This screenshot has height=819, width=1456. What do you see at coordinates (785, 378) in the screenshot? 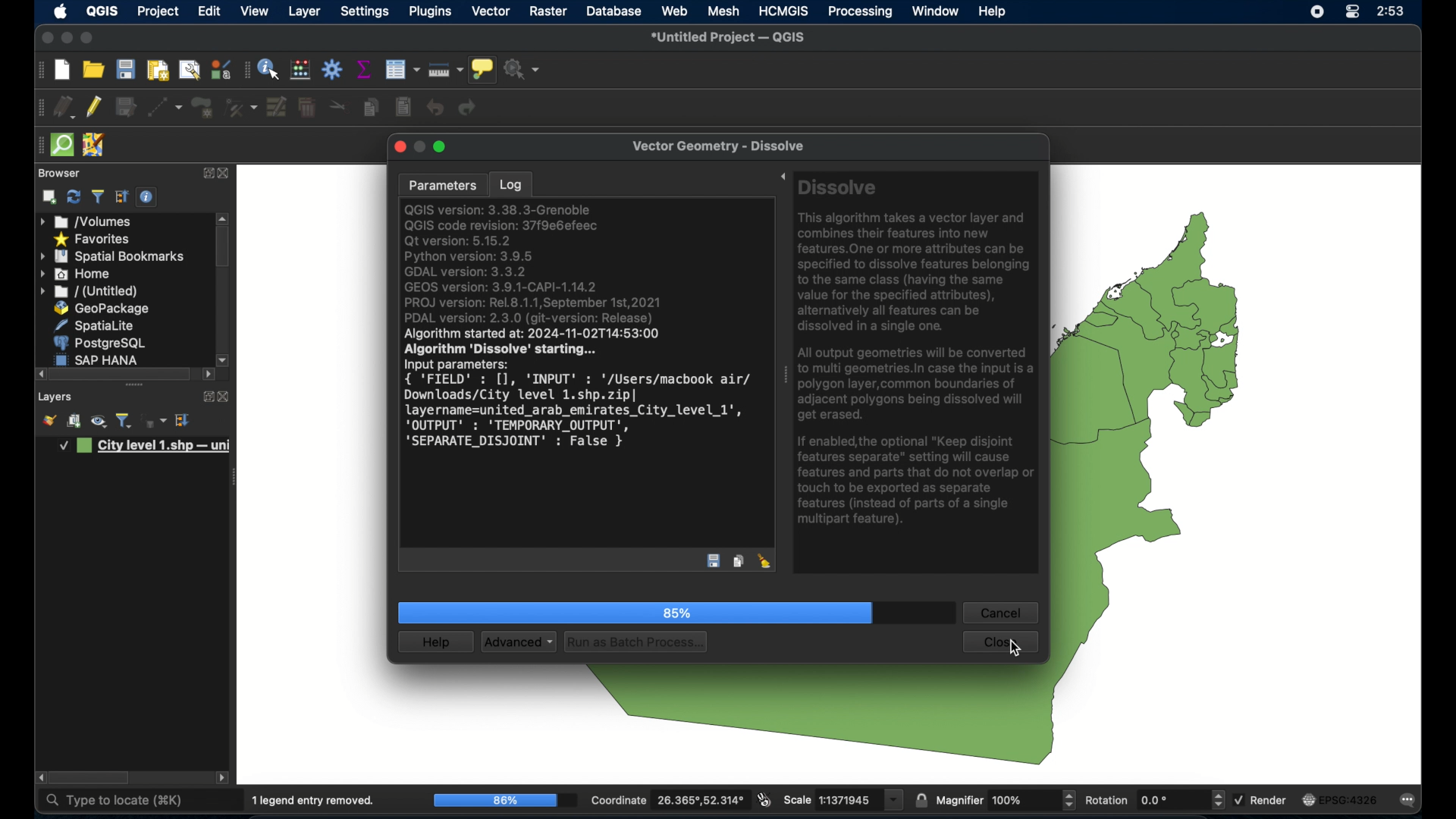
I see `drag handle` at bounding box center [785, 378].